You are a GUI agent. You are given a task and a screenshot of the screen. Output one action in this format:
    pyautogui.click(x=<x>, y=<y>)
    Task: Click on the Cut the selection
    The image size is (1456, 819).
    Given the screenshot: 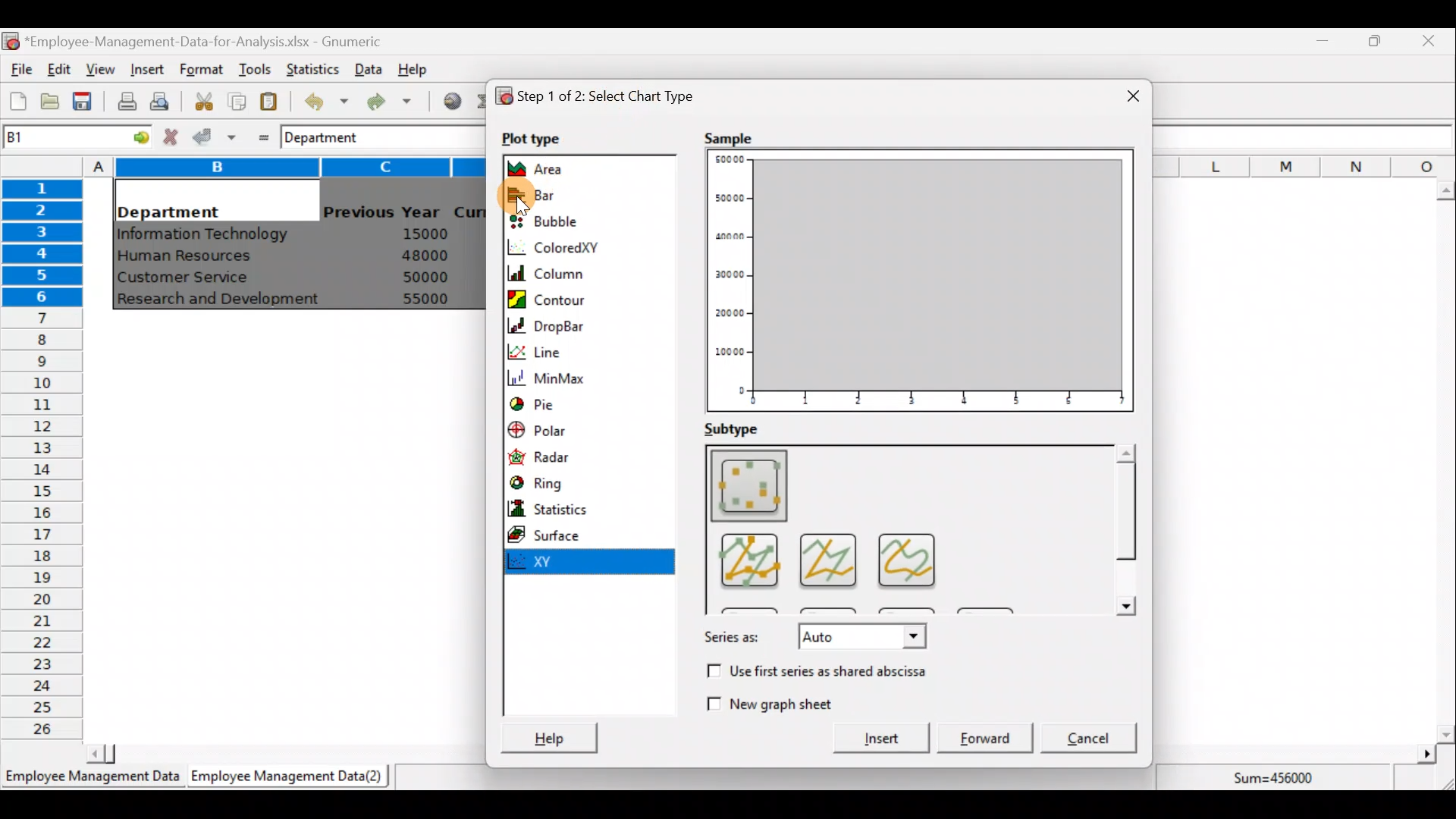 What is the action you would take?
    pyautogui.click(x=199, y=99)
    